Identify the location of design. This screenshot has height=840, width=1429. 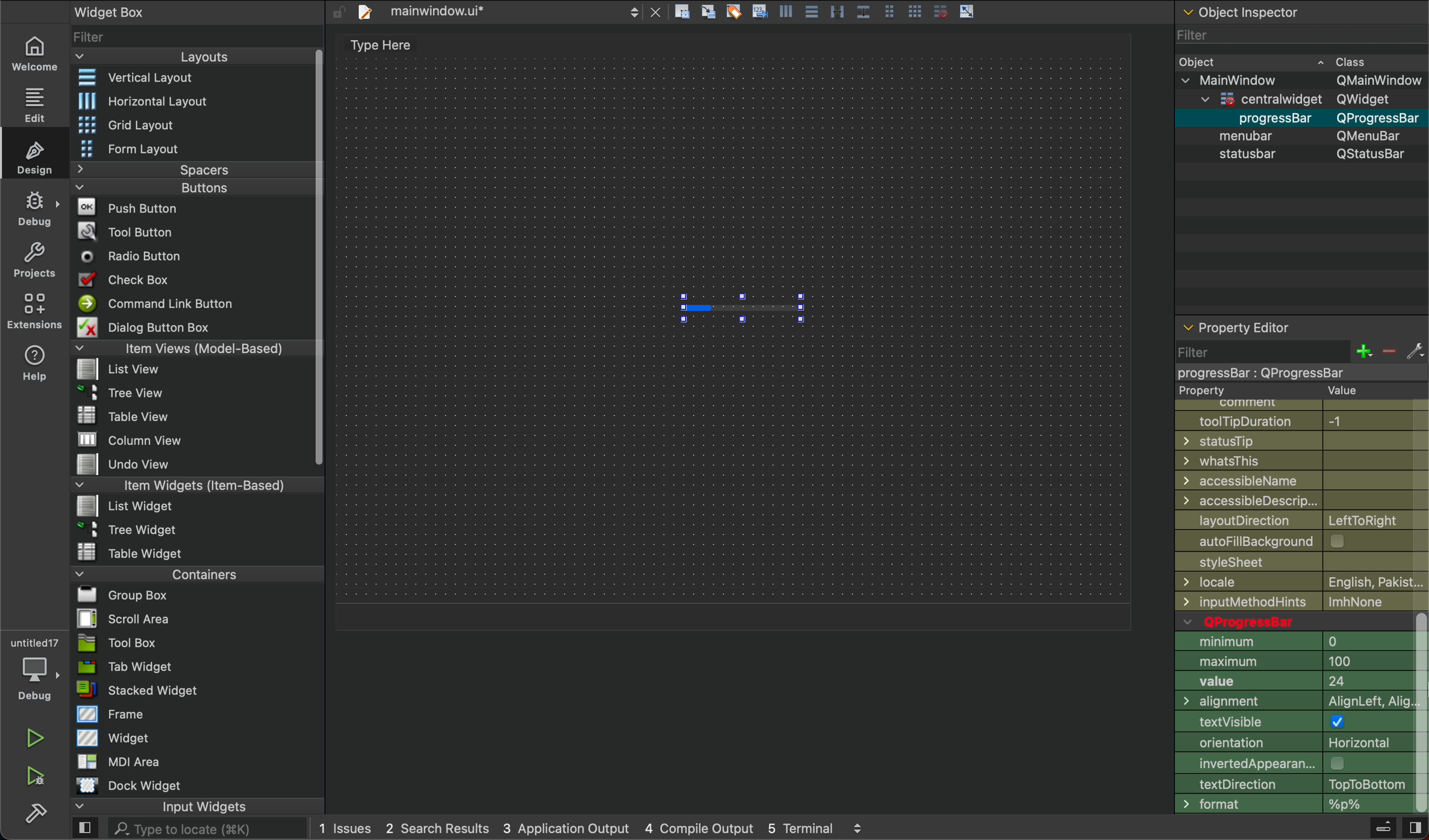
(37, 156).